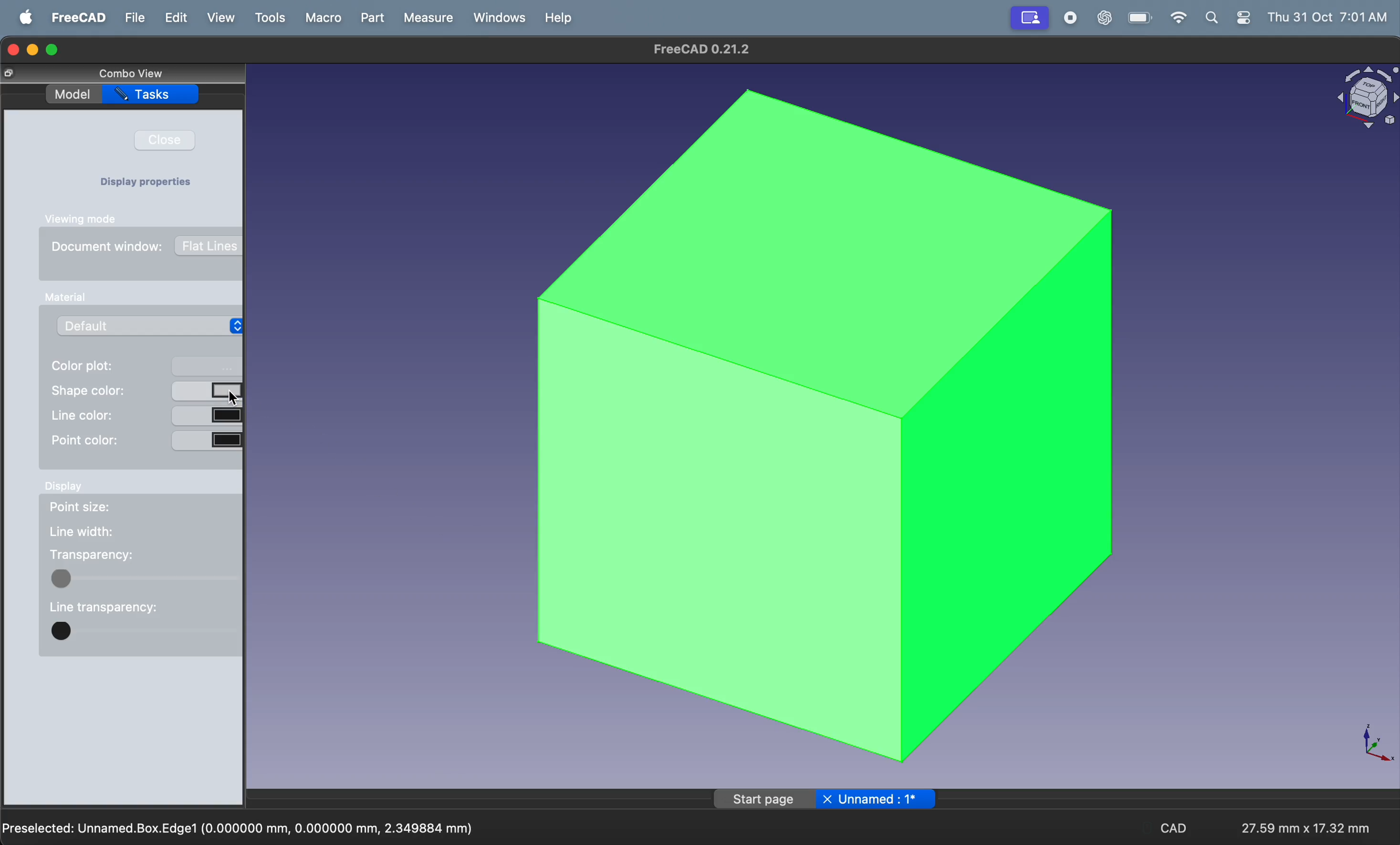 This screenshot has height=845, width=1400. What do you see at coordinates (1176, 830) in the screenshot?
I see `CAD` at bounding box center [1176, 830].